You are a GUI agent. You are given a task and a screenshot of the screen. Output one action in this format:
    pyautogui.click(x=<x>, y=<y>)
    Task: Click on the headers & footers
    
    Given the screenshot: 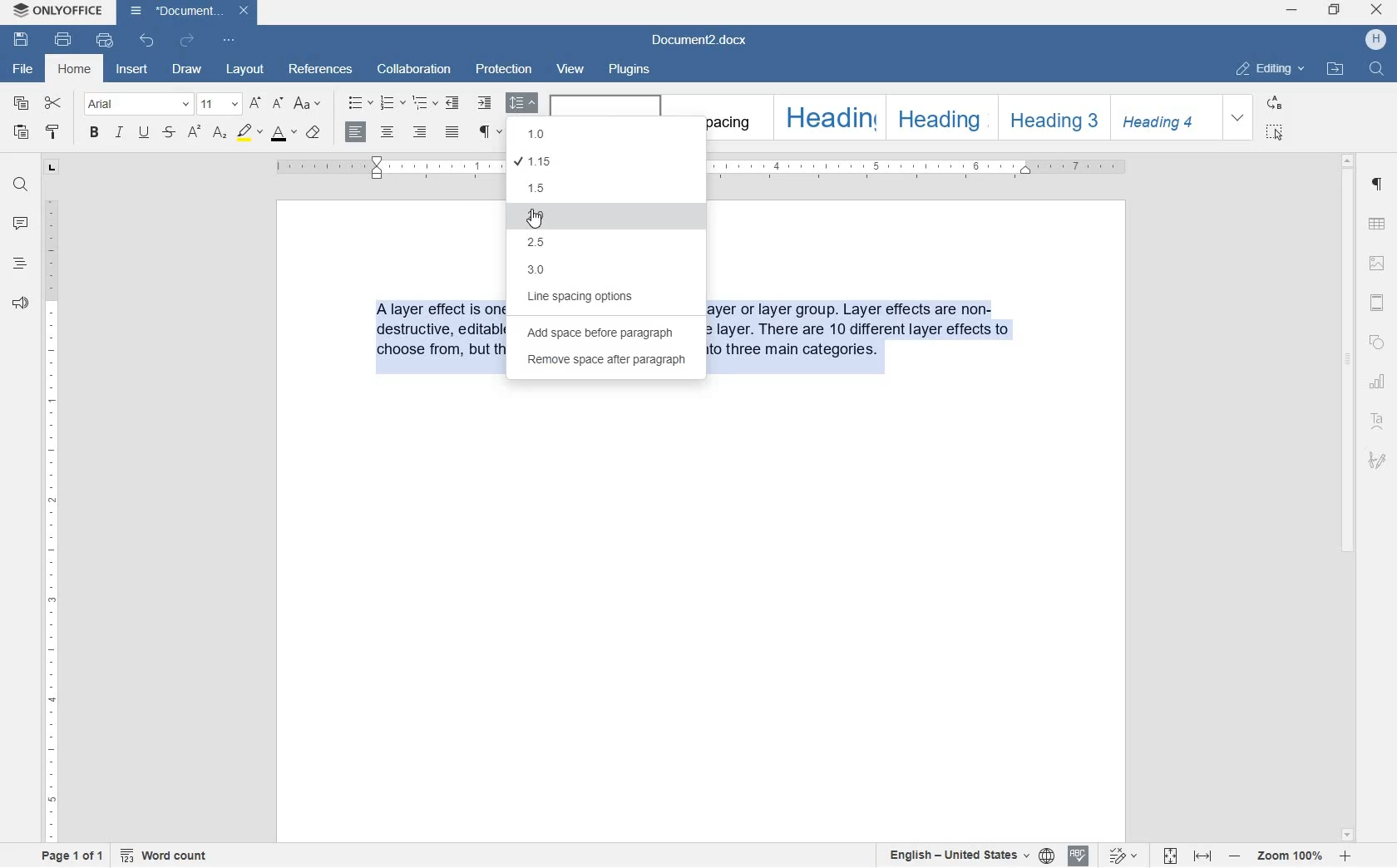 What is the action you would take?
    pyautogui.click(x=1378, y=302)
    